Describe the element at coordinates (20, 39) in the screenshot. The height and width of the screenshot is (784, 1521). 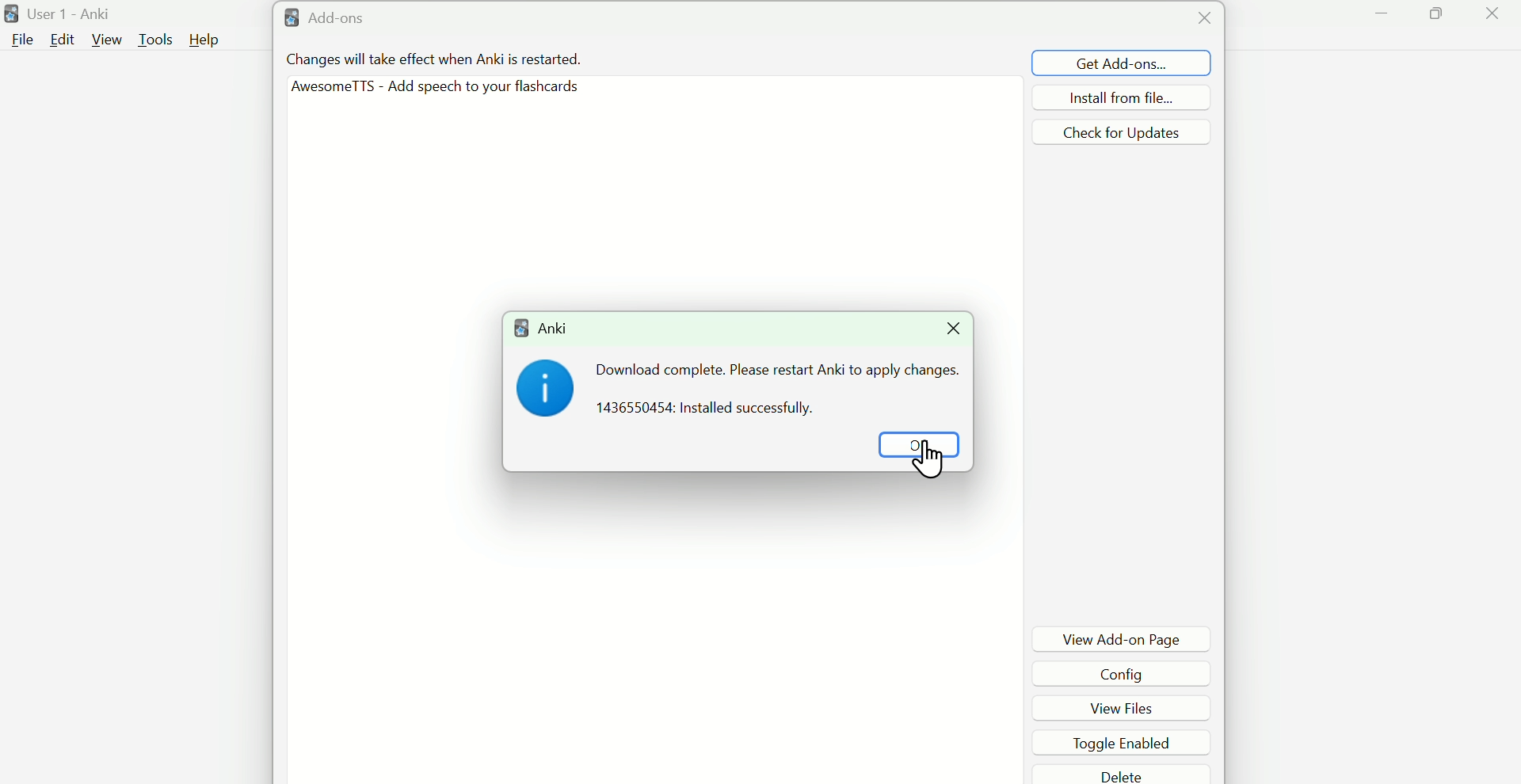
I see `File` at that location.